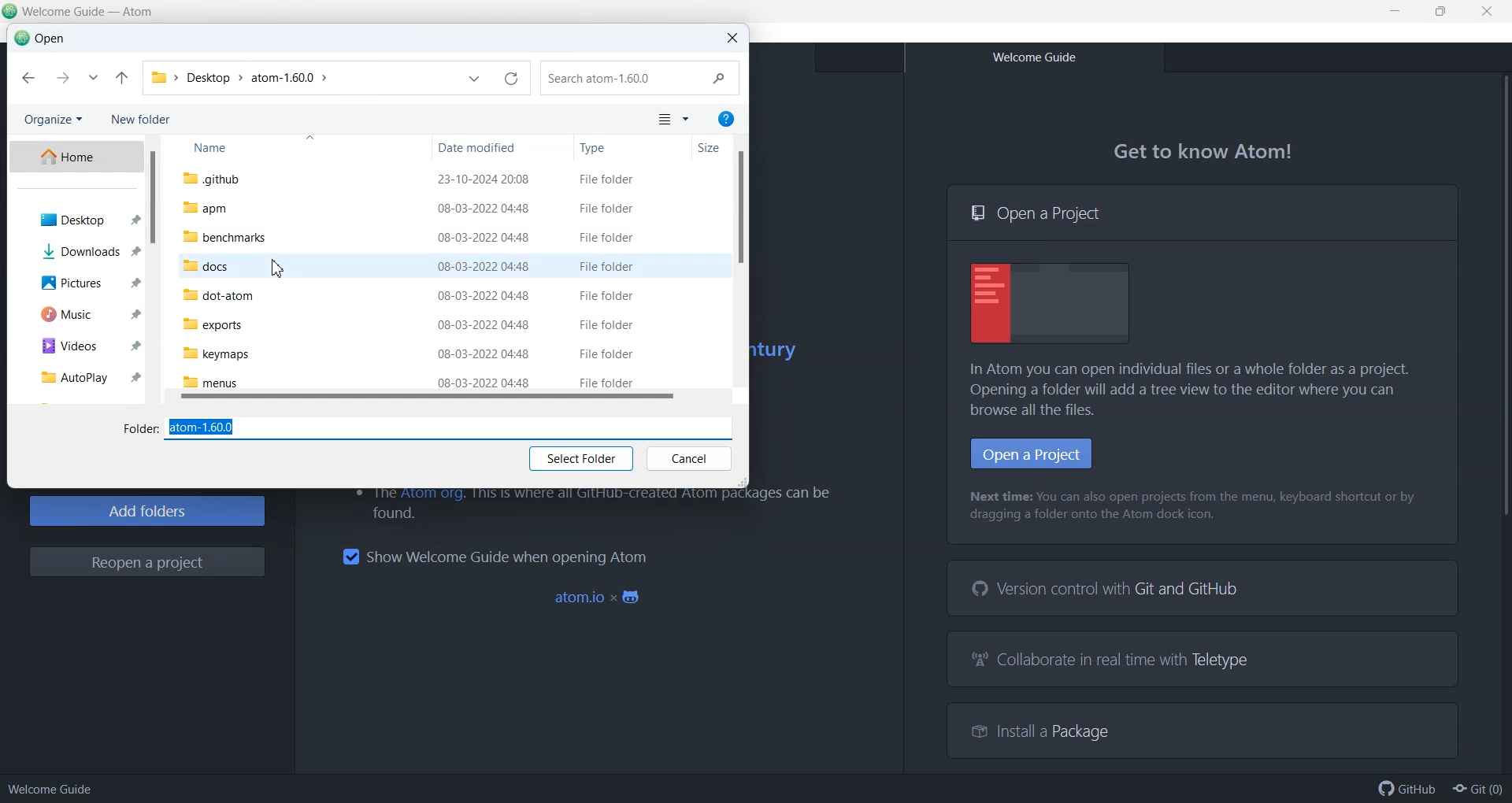  I want to click on 23-10-2024 20:08, so click(486, 179).